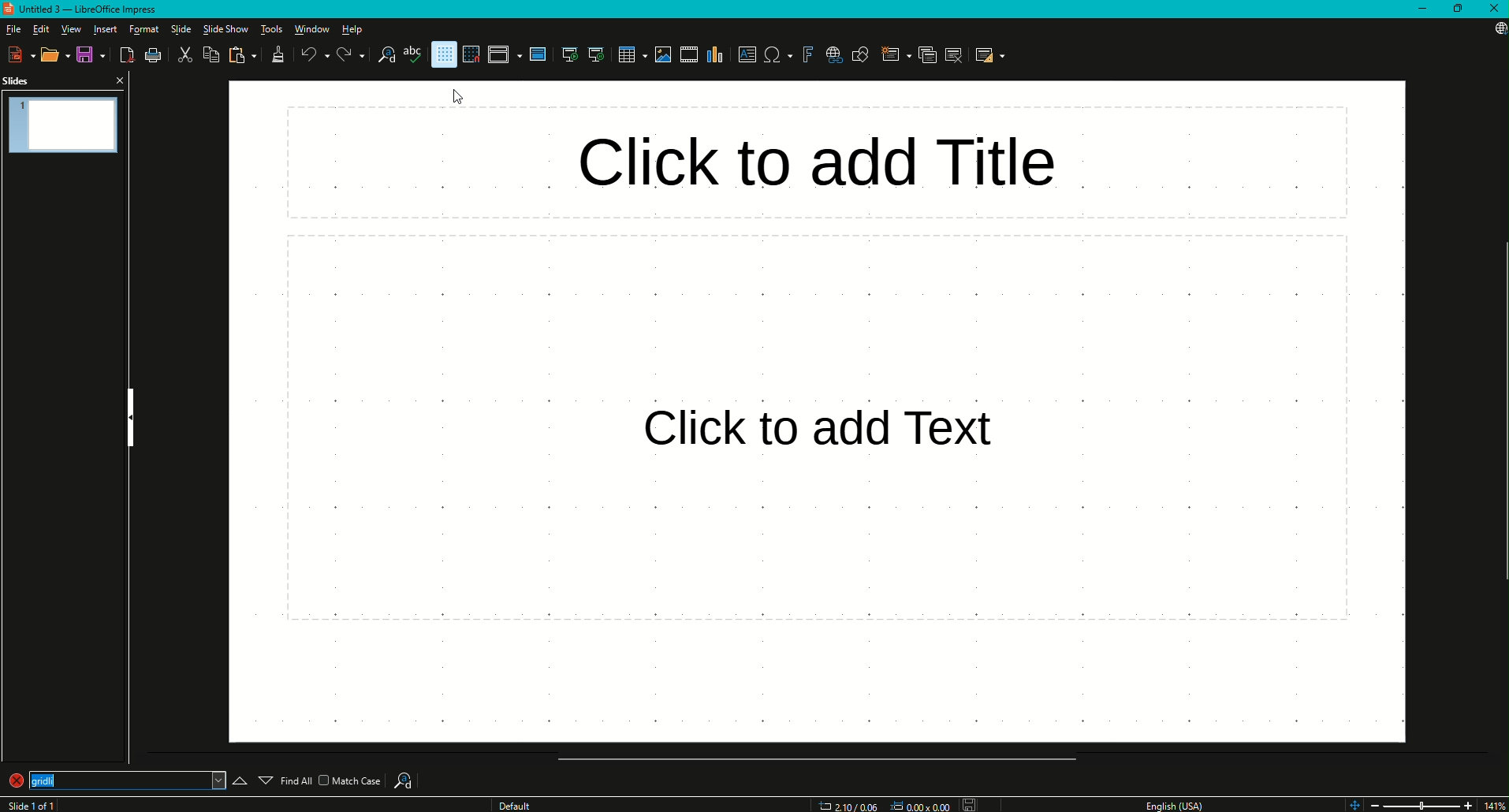  I want to click on Duplicate slide, so click(922, 54).